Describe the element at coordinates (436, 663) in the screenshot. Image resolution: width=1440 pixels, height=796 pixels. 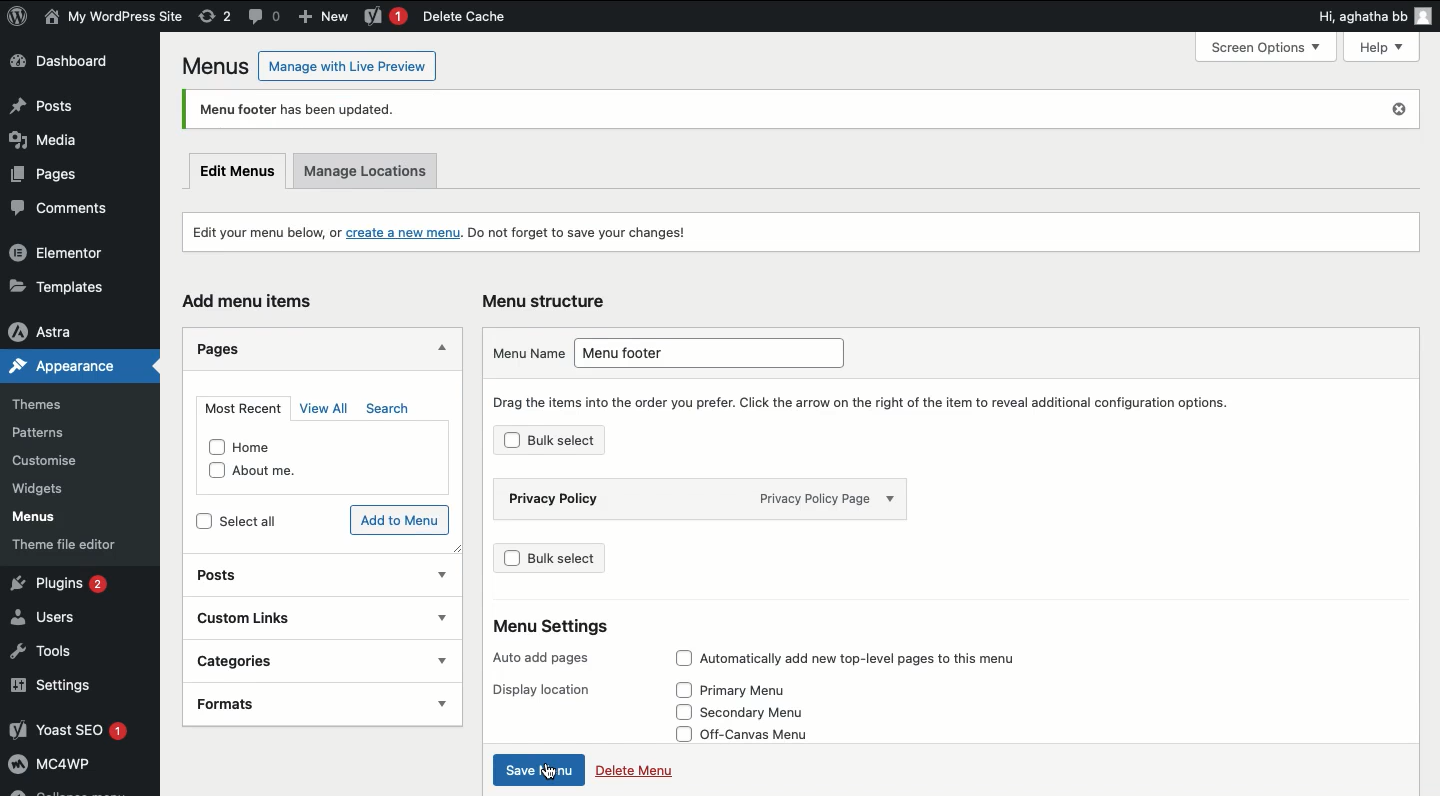
I see `show` at that location.